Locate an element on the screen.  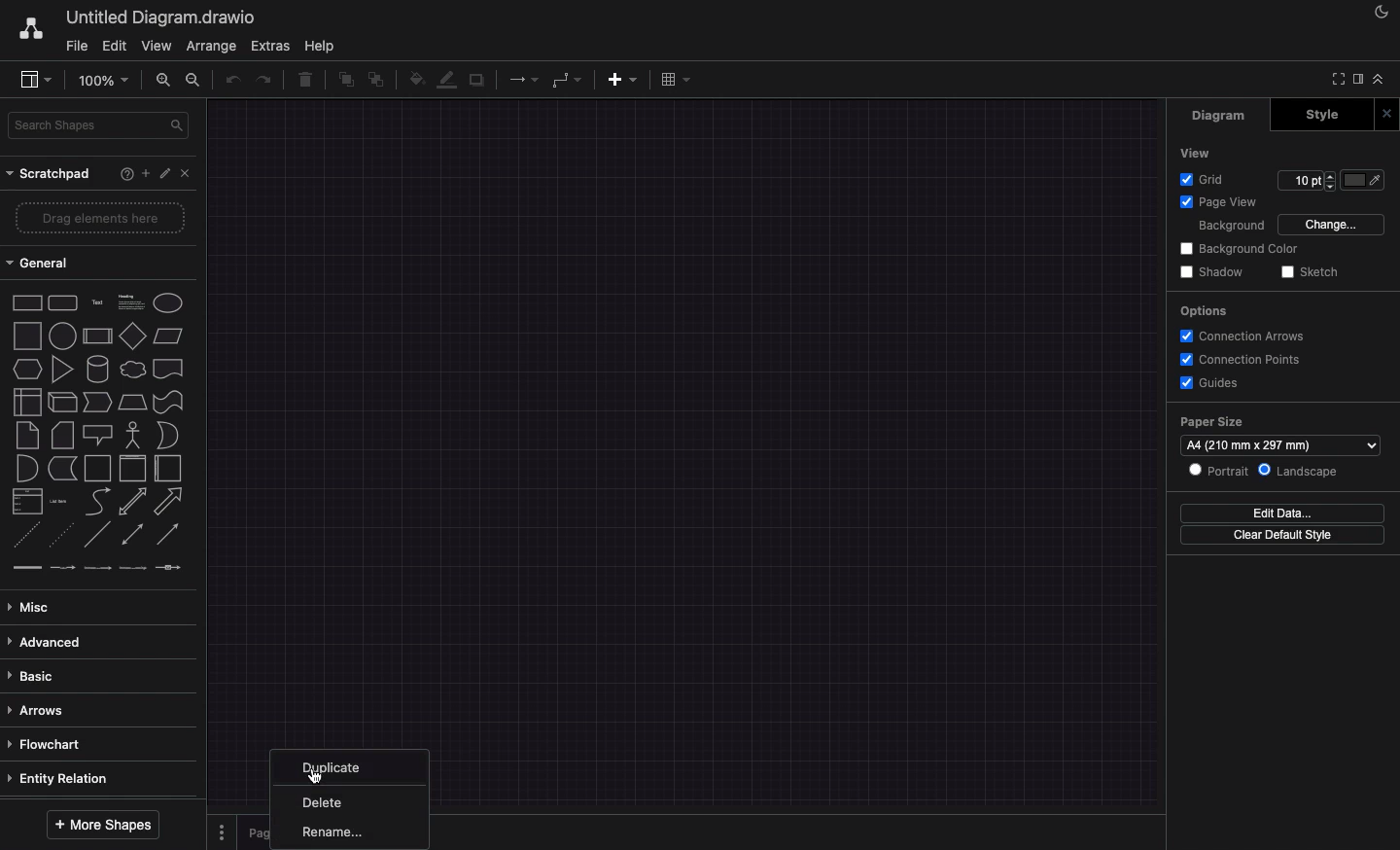
to back is located at coordinates (376, 81).